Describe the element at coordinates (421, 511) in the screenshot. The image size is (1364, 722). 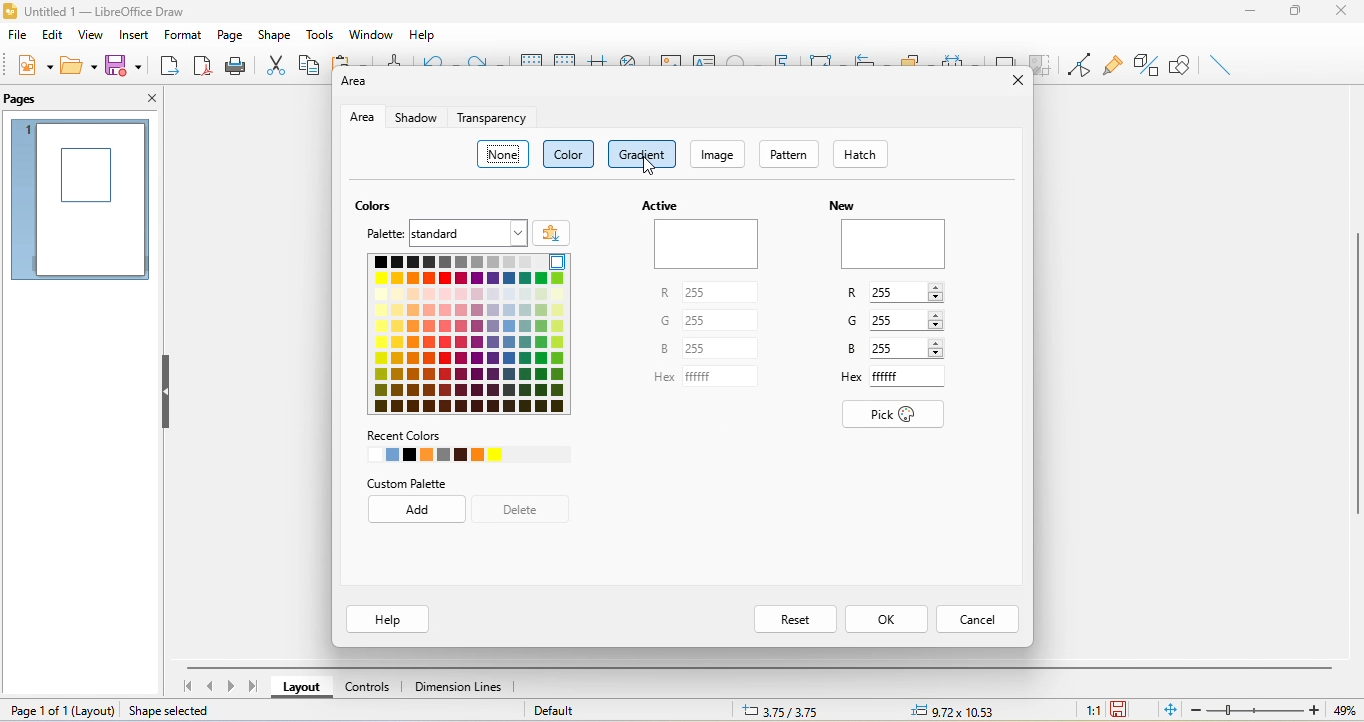
I see `add` at that location.